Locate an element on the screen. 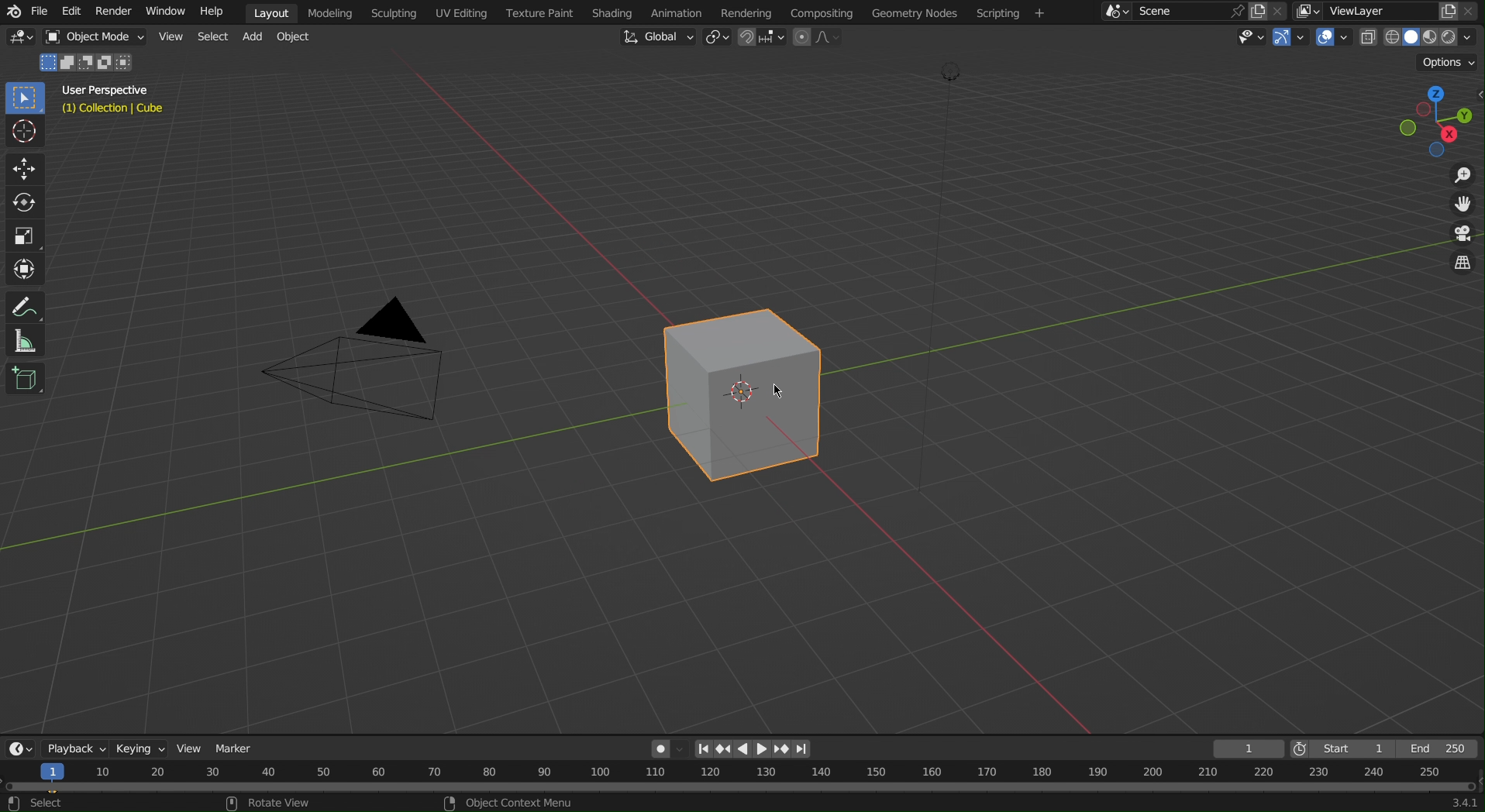  select is located at coordinates (47, 802).